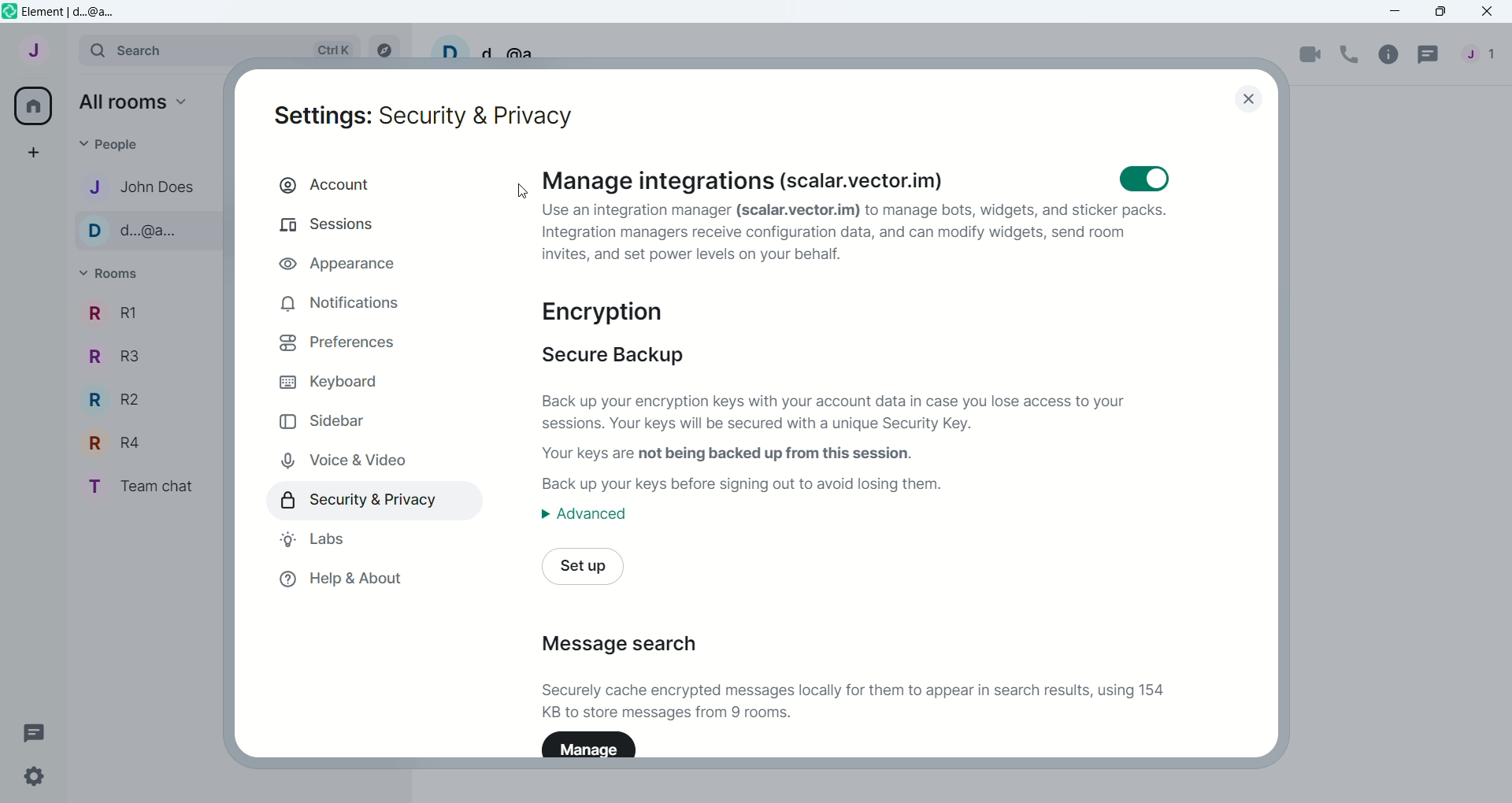 This screenshot has width=1512, height=803. I want to click on voice & video, so click(350, 460).